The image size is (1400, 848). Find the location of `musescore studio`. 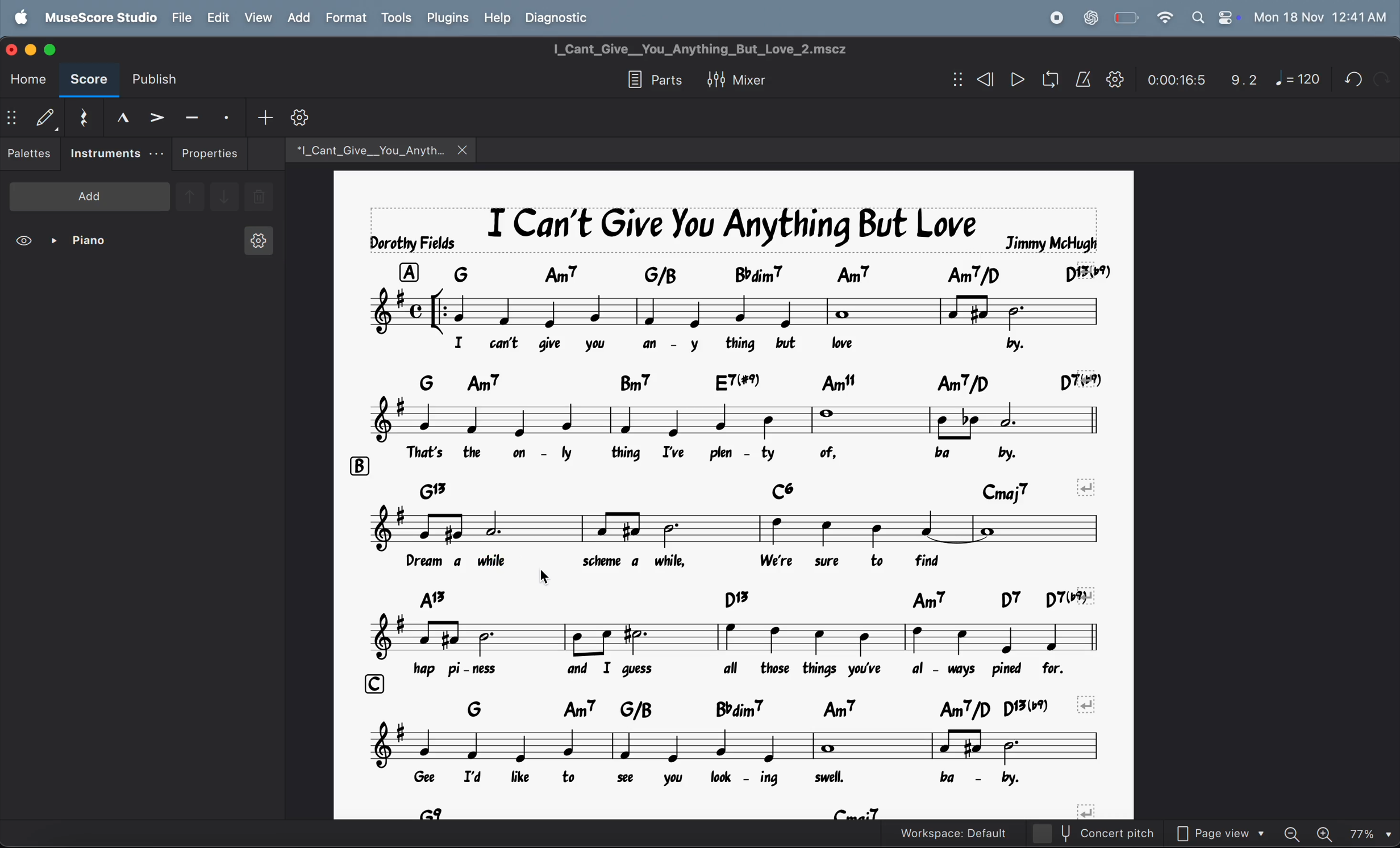

musescore studio is located at coordinates (103, 18).